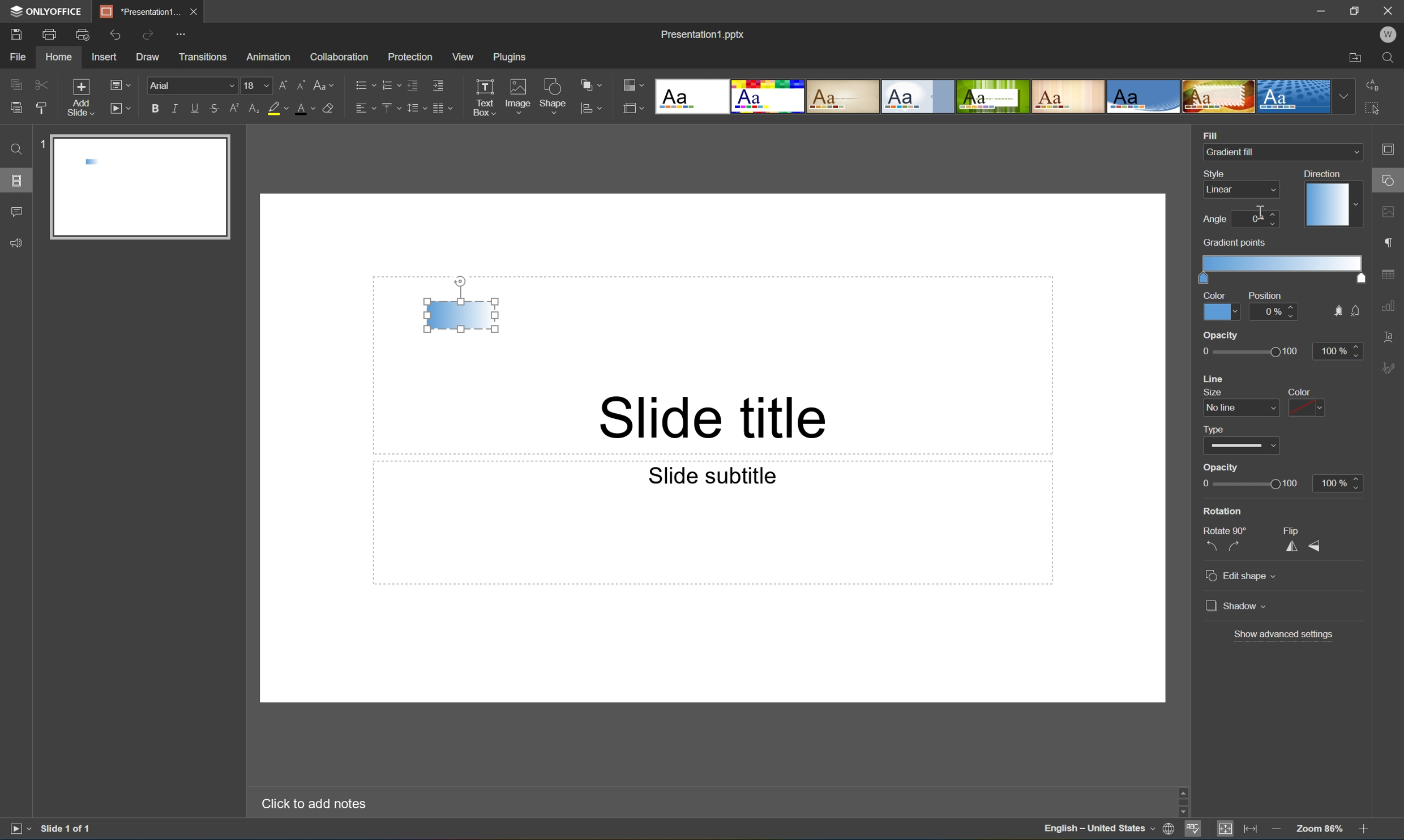 Image resolution: width=1404 pixels, height=840 pixels. I want to click on Change slide layout, so click(118, 83).